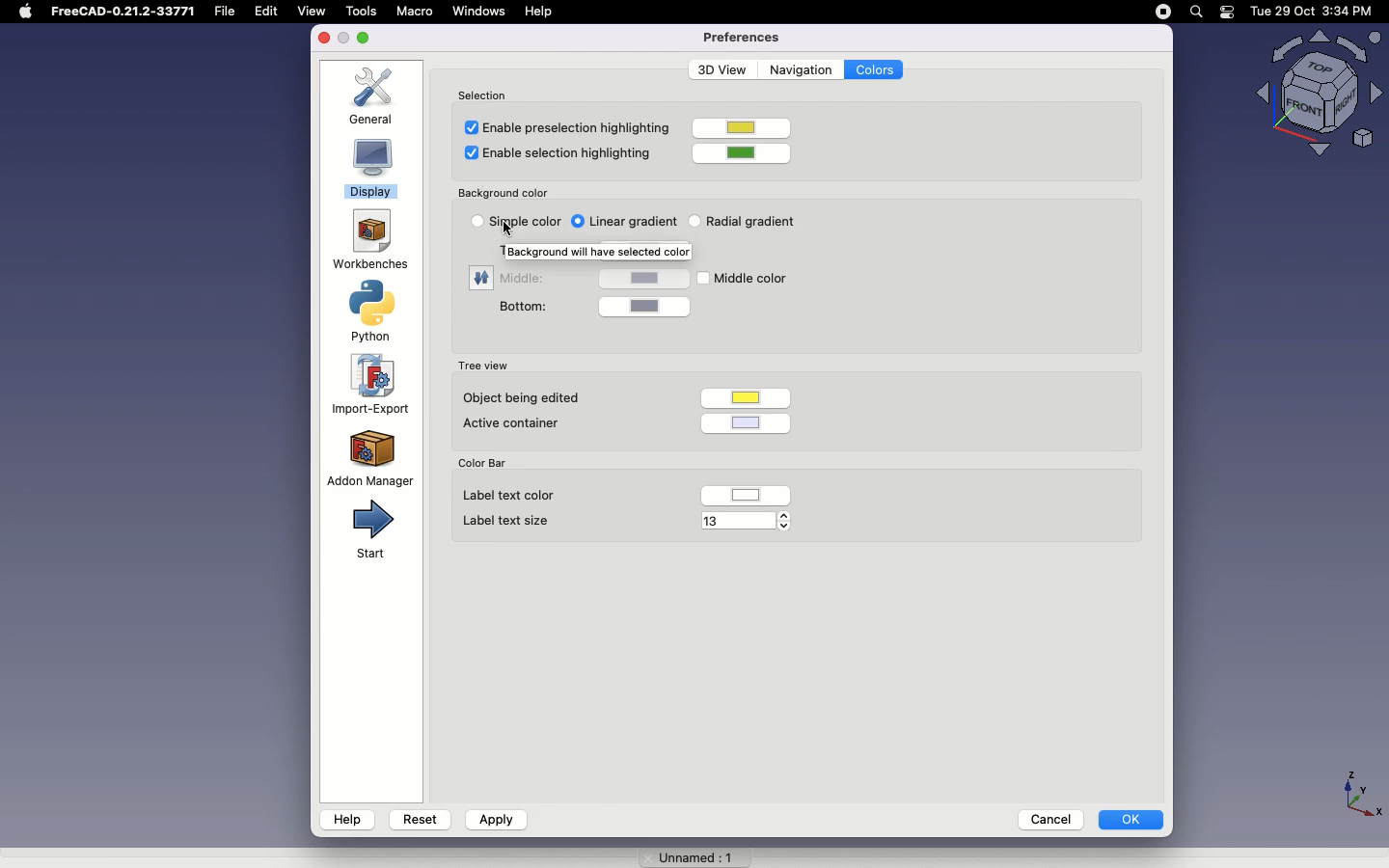  Describe the element at coordinates (230, 12) in the screenshot. I see `file` at that location.